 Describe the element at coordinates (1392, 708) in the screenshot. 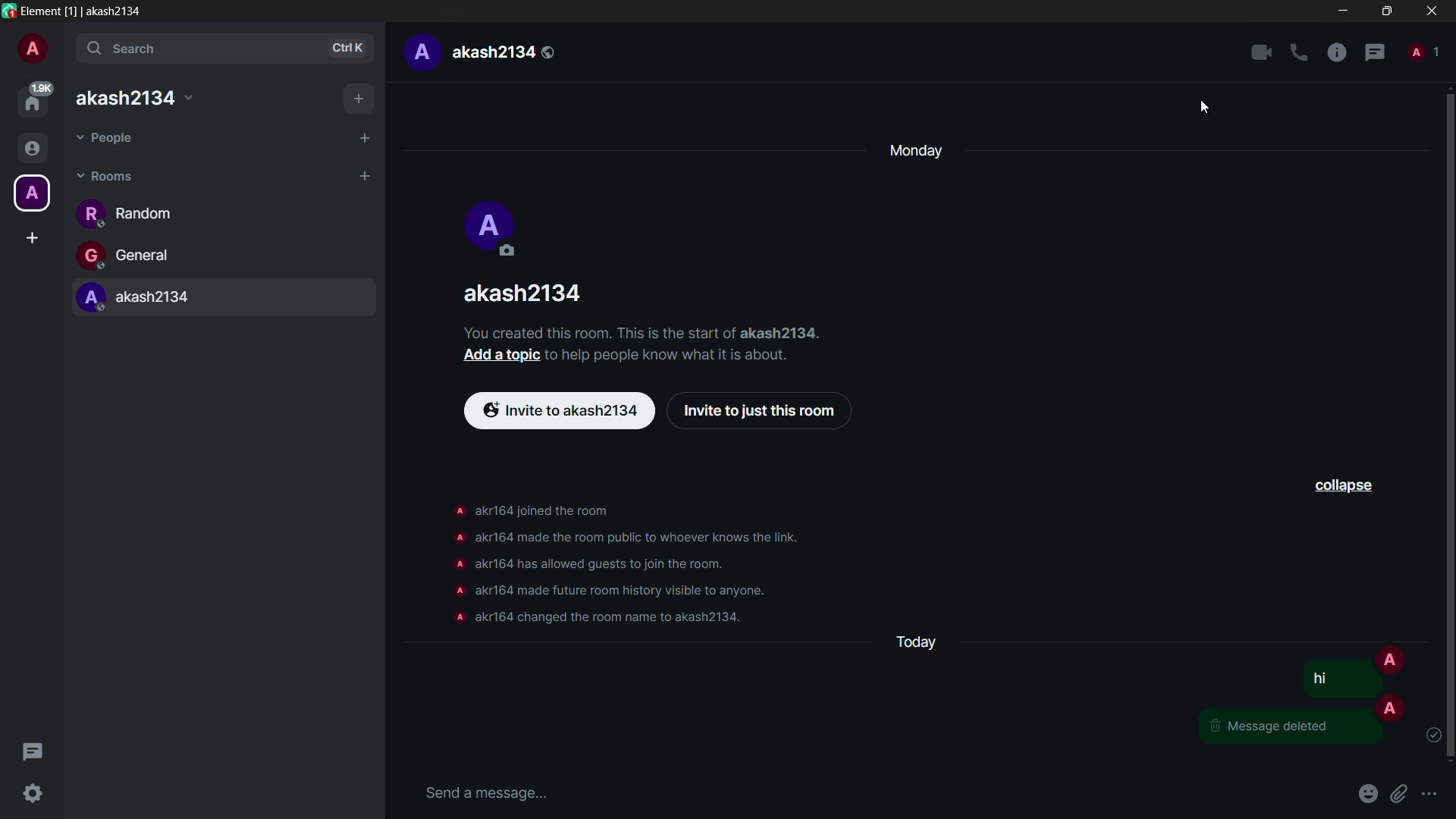

I see `` at that location.